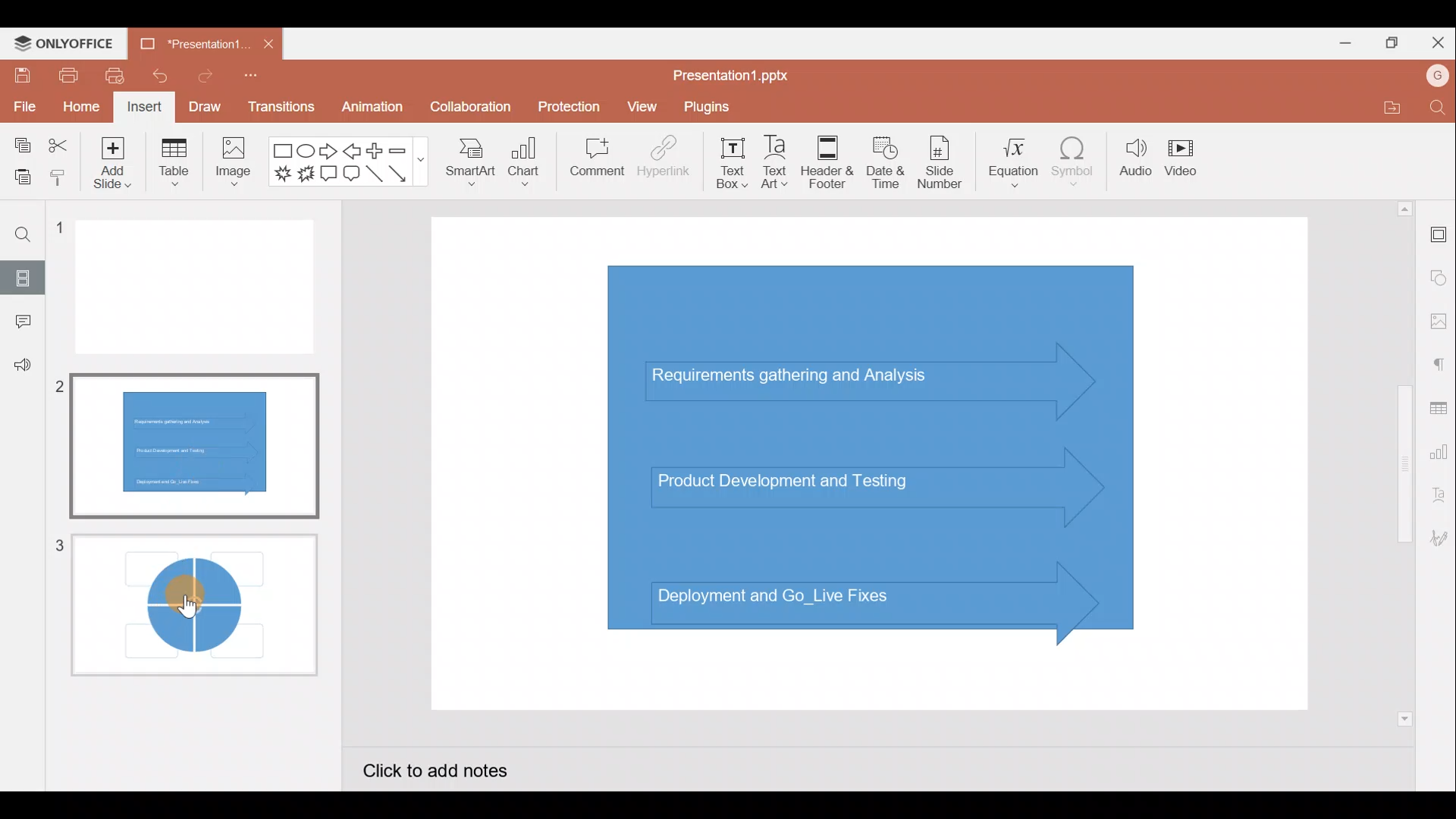 The height and width of the screenshot is (819, 1456). I want to click on Header & footer, so click(831, 162).